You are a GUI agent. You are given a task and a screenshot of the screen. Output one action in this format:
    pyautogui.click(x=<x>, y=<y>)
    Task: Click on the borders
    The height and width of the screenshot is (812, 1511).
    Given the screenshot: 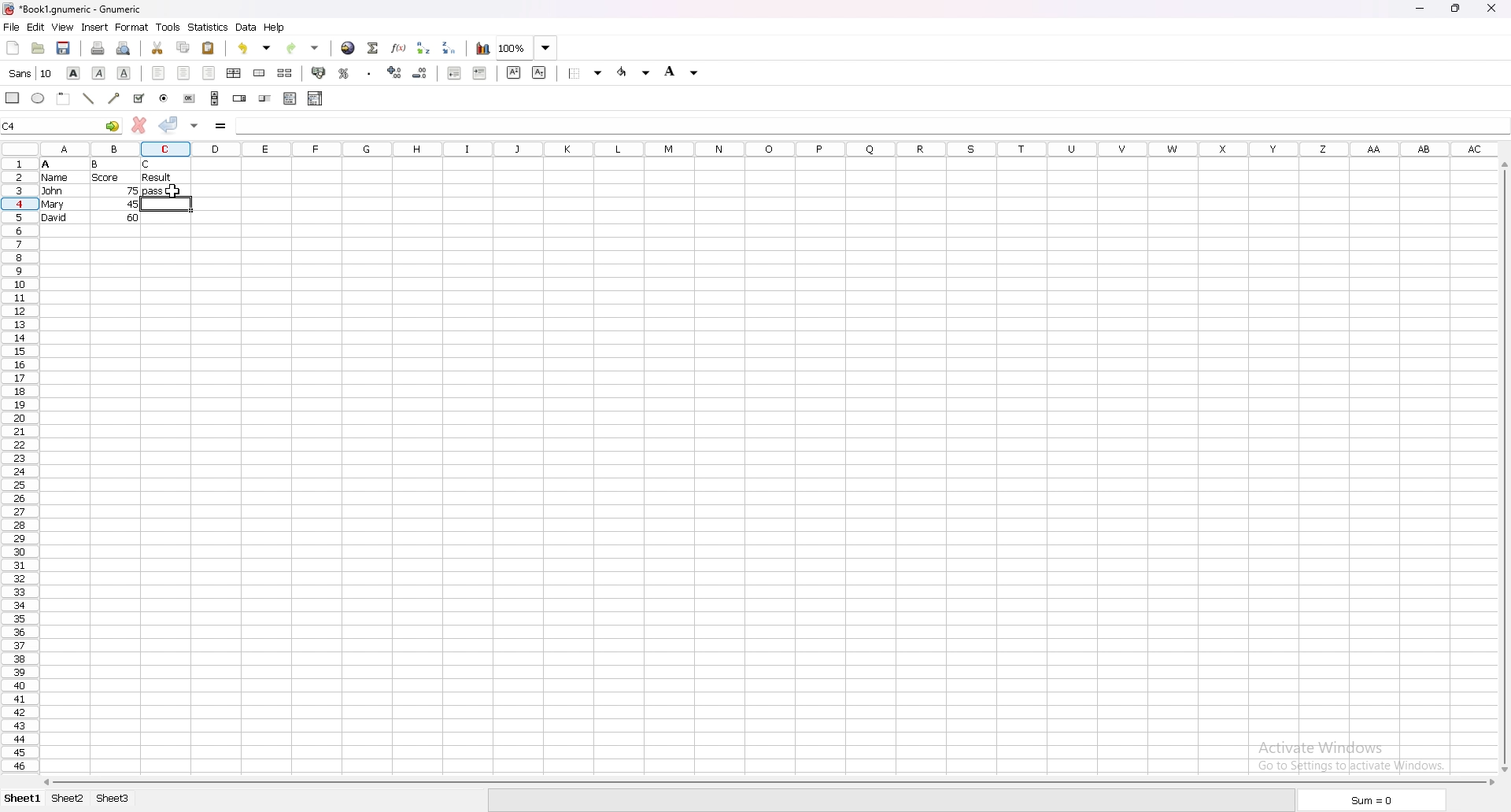 What is the action you would take?
    pyautogui.click(x=585, y=72)
    